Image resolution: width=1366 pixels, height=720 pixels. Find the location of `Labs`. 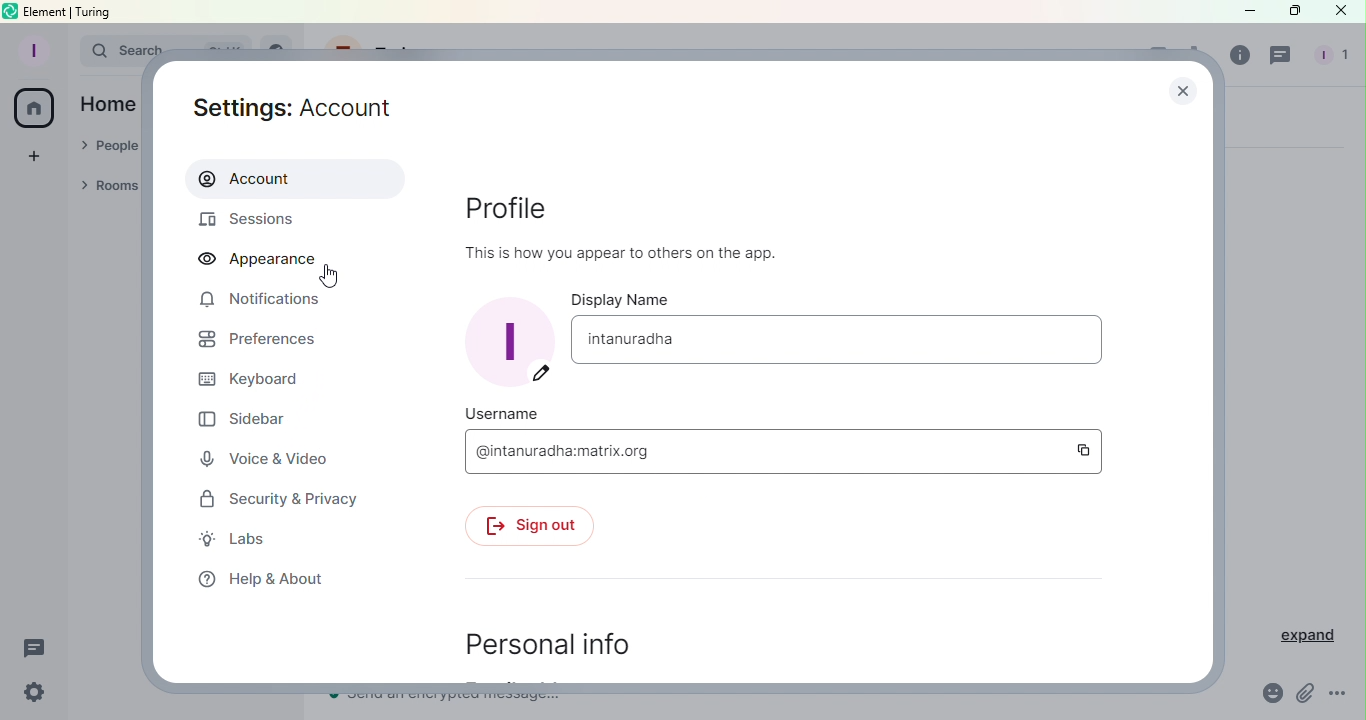

Labs is located at coordinates (247, 542).